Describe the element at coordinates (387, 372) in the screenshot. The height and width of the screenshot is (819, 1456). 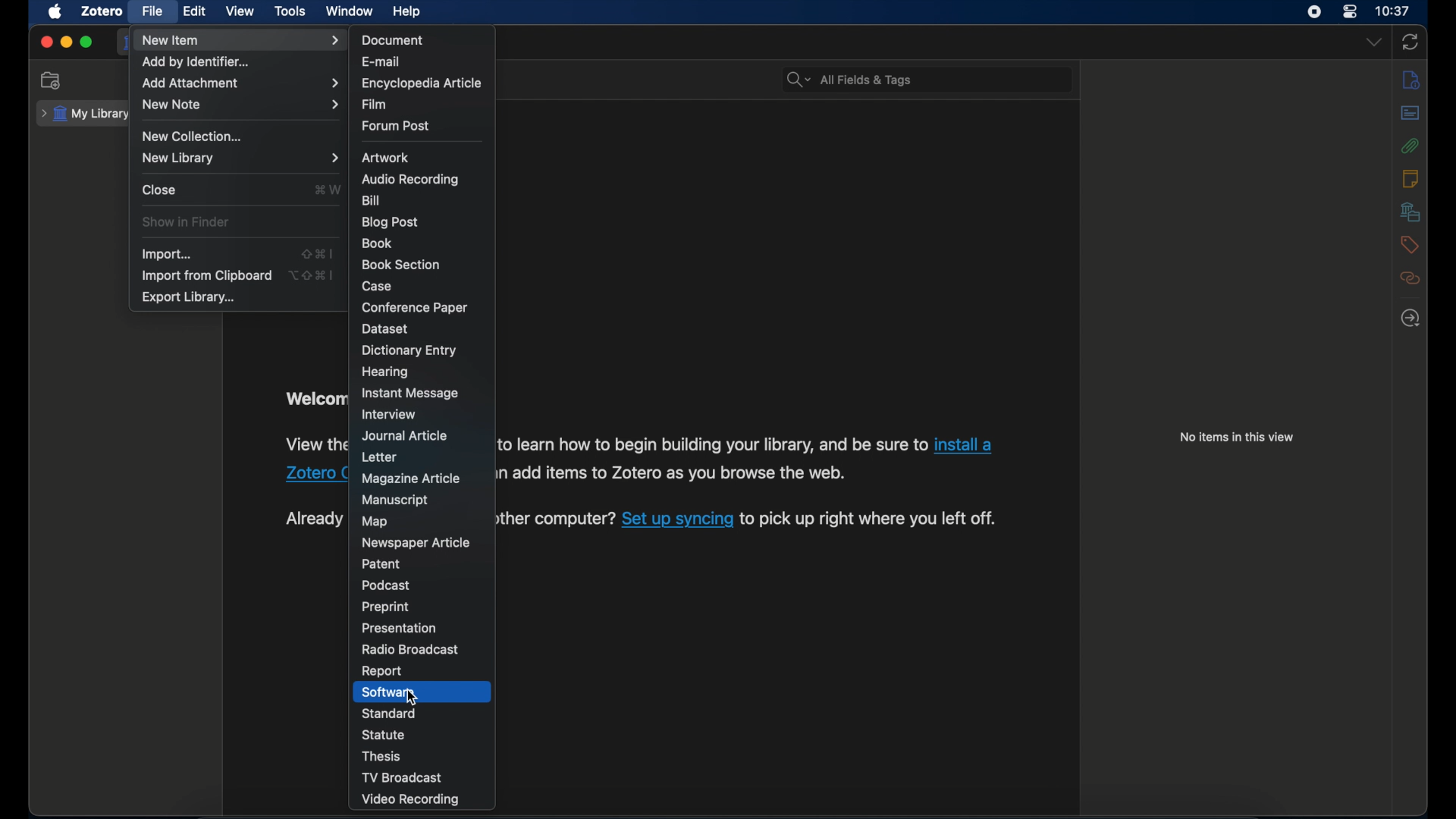
I see `hearing` at that location.